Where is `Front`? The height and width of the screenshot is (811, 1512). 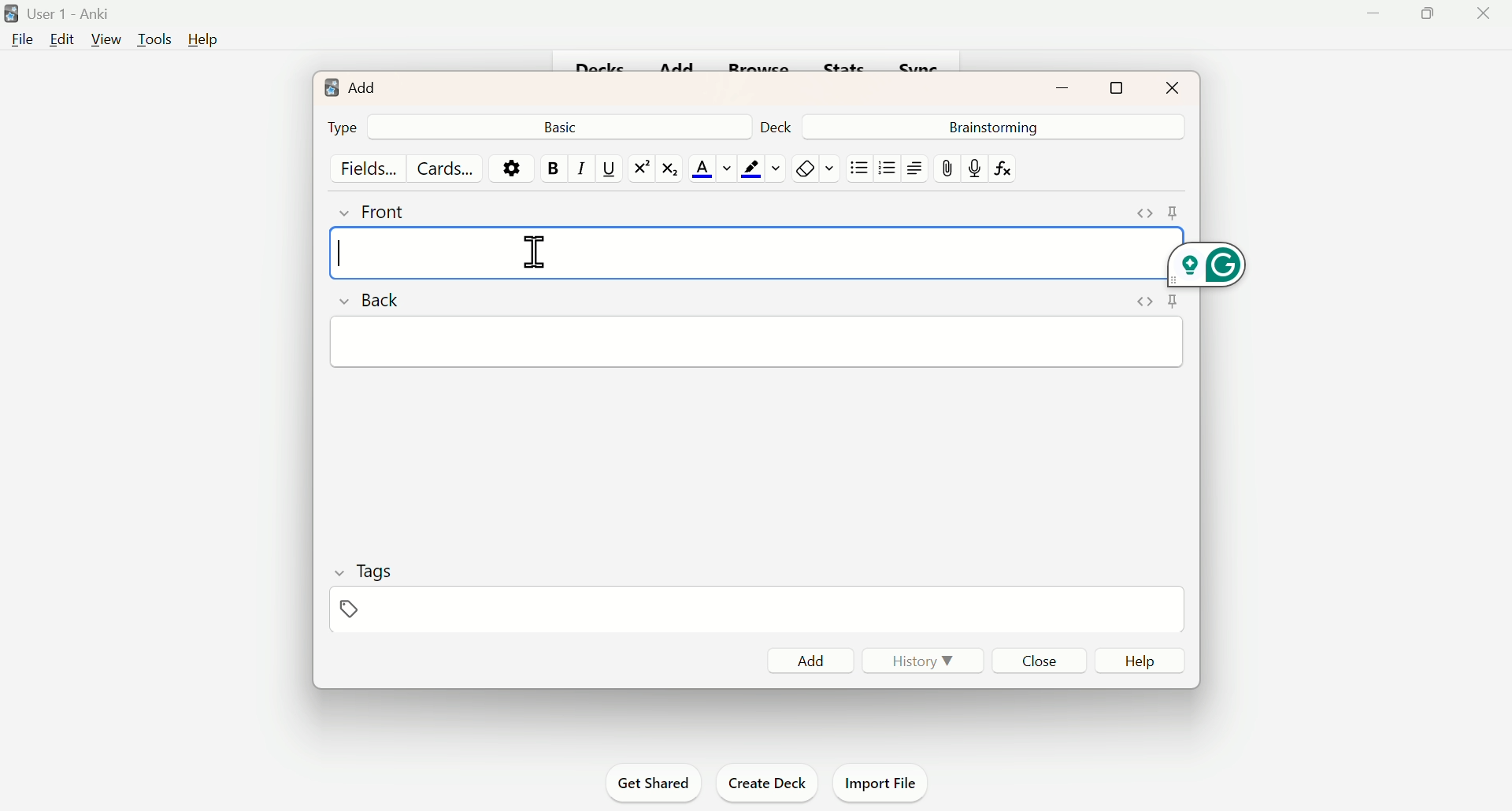 Front is located at coordinates (388, 209).